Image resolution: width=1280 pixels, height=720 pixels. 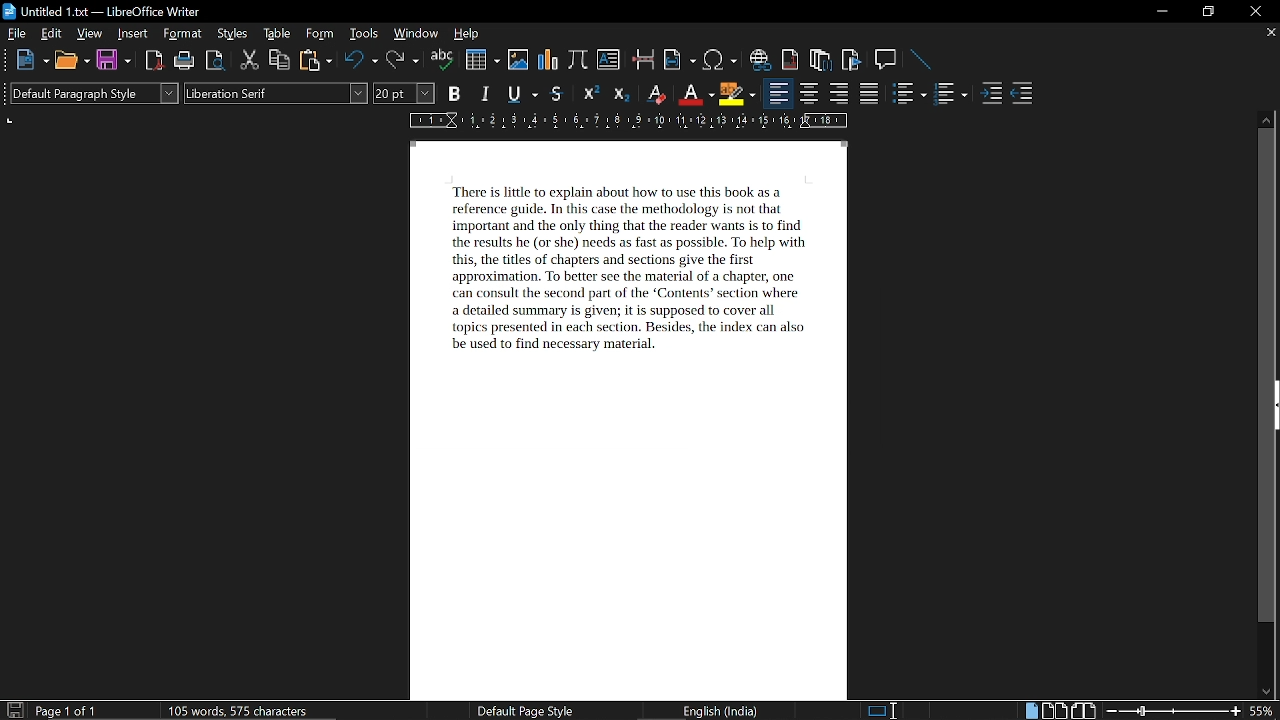 What do you see at coordinates (991, 94) in the screenshot?
I see `increase indent` at bounding box center [991, 94].